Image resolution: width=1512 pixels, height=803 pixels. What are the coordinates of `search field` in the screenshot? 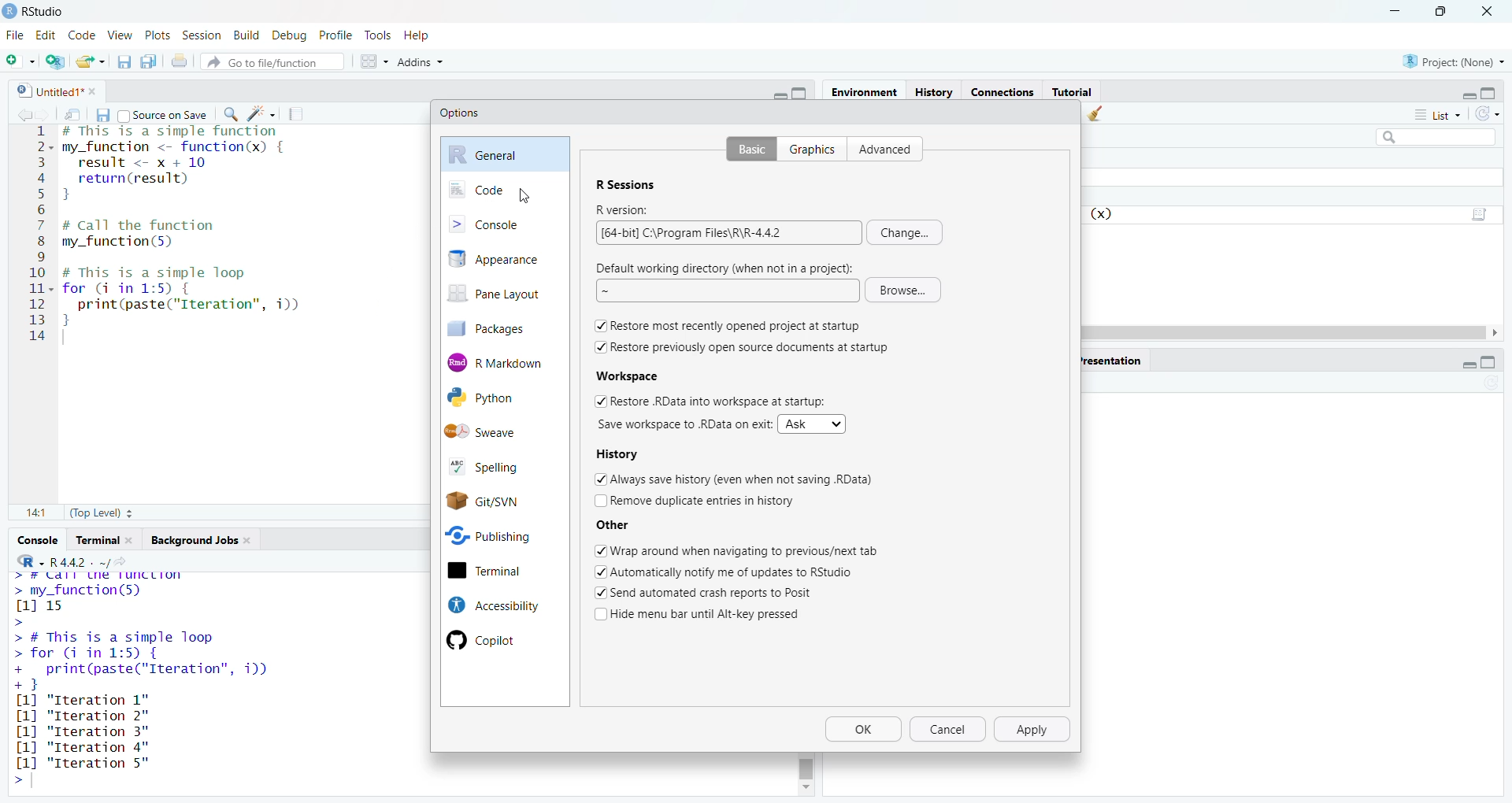 It's located at (1432, 136).